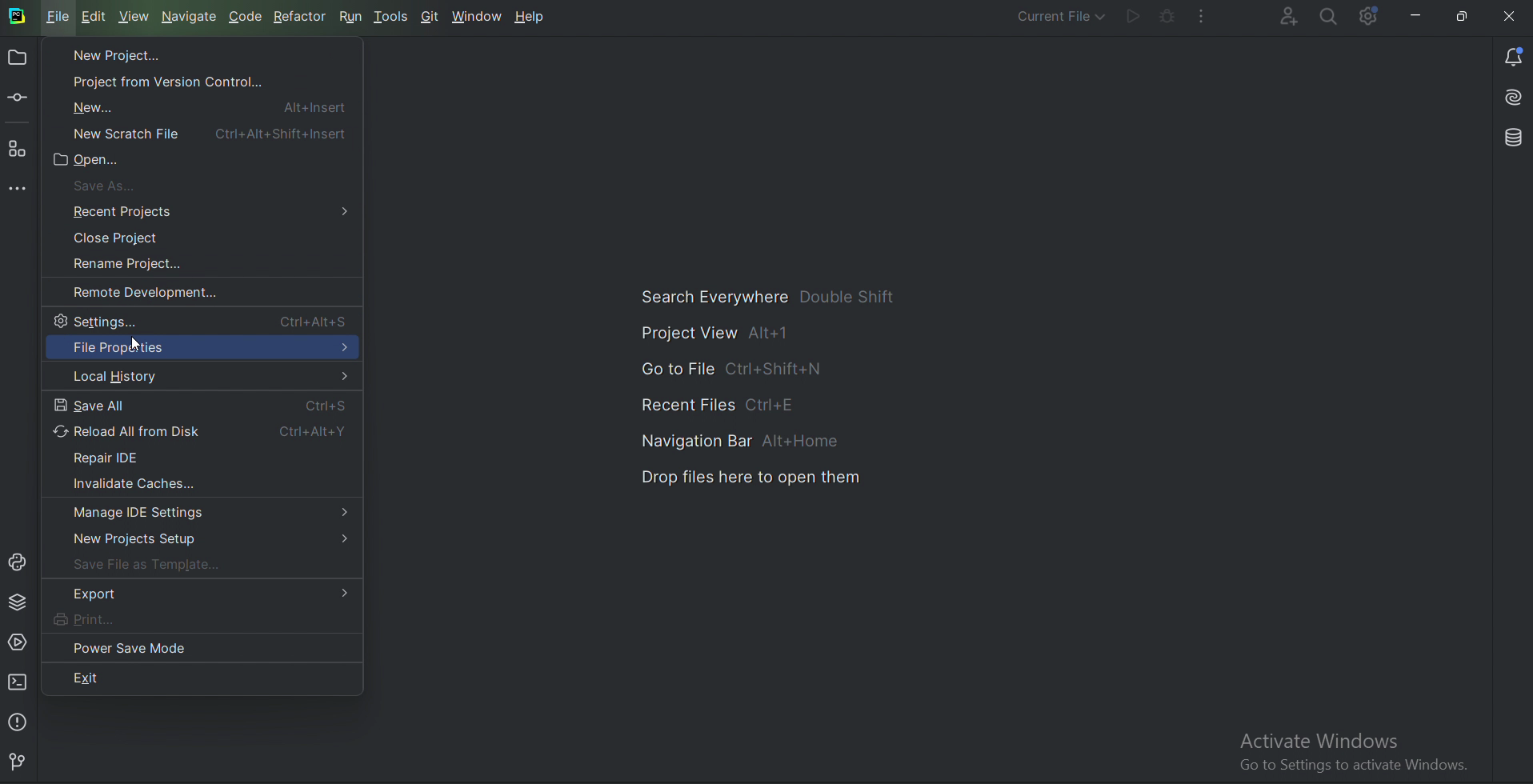  Describe the element at coordinates (154, 566) in the screenshot. I see `Save file as Template` at that location.